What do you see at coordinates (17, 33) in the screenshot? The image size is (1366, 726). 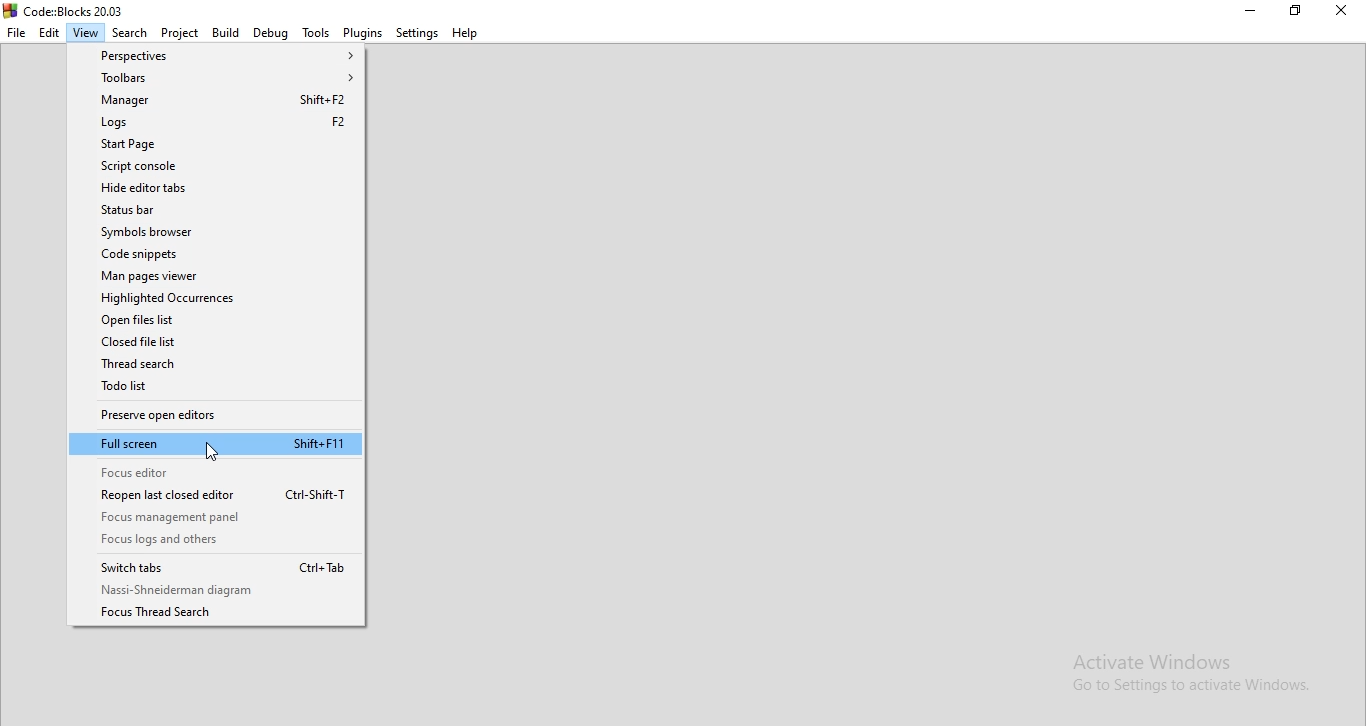 I see `File` at bounding box center [17, 33].